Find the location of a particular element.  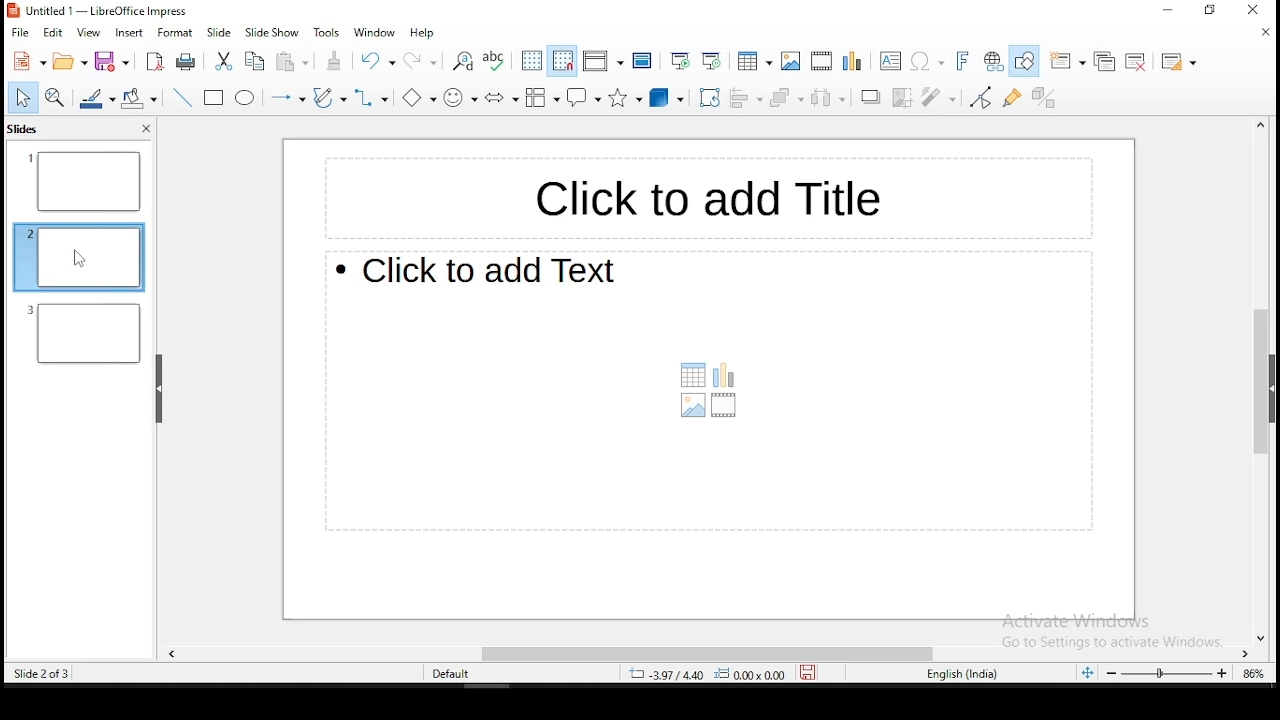

lines and arrows is located at coordinates (286, 96).